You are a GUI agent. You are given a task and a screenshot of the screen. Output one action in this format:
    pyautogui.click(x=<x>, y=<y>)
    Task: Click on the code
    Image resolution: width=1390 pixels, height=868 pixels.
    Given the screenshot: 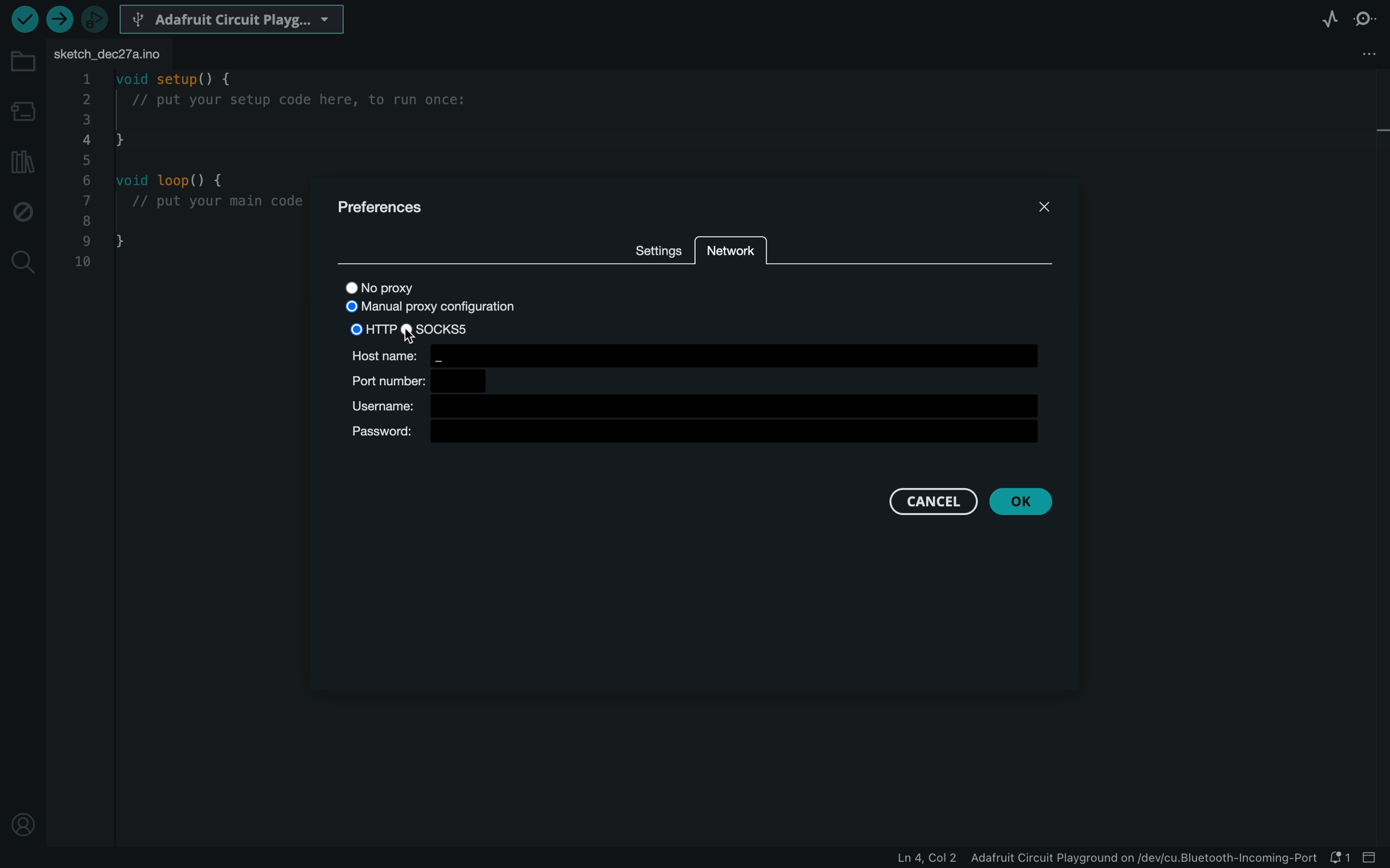 What is the action you would take?
    pyautogui.click(x=181, y=176)
    